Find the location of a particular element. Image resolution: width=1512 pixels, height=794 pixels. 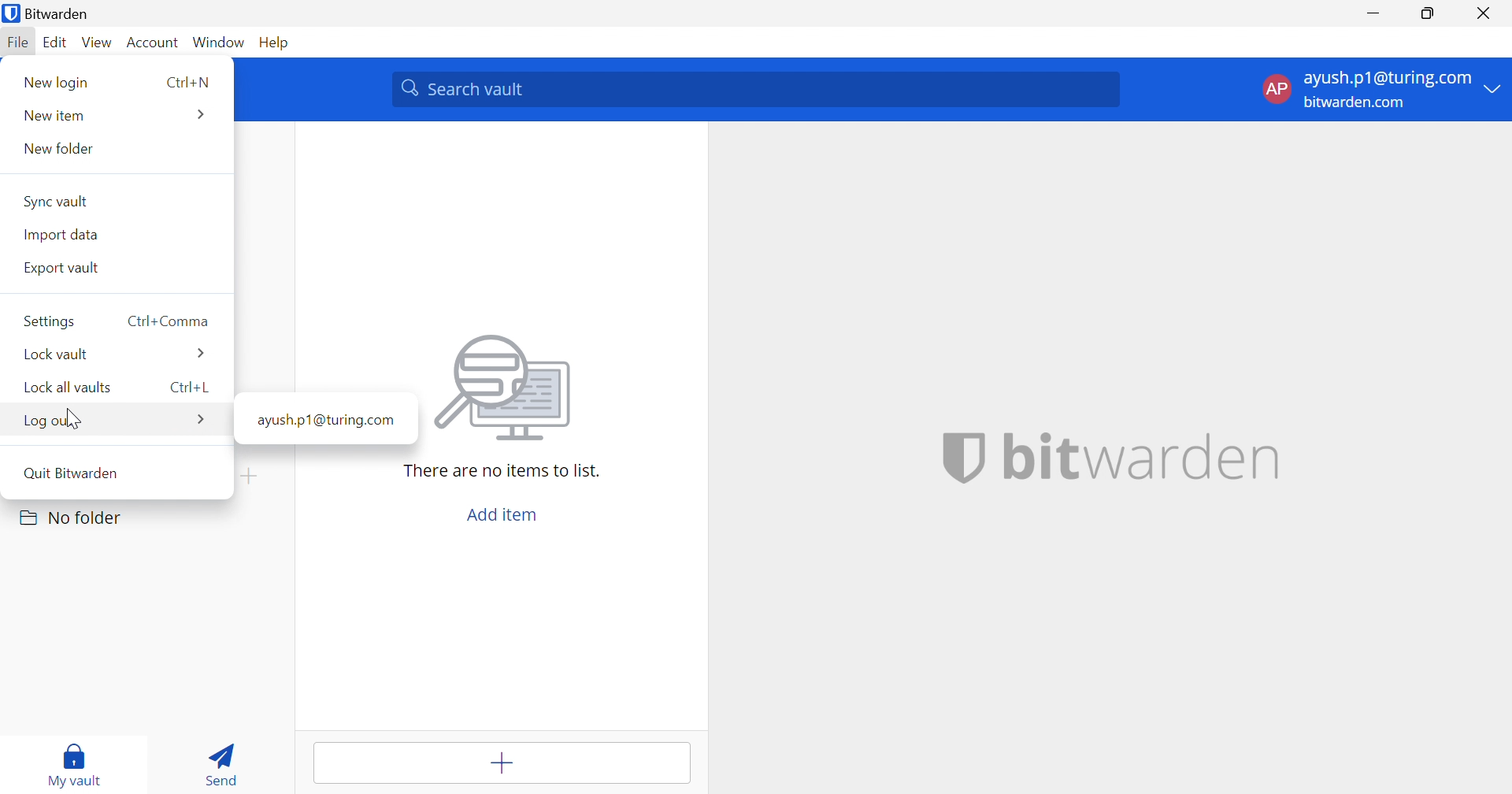

Lock vault is located at coordinates (57, 355).